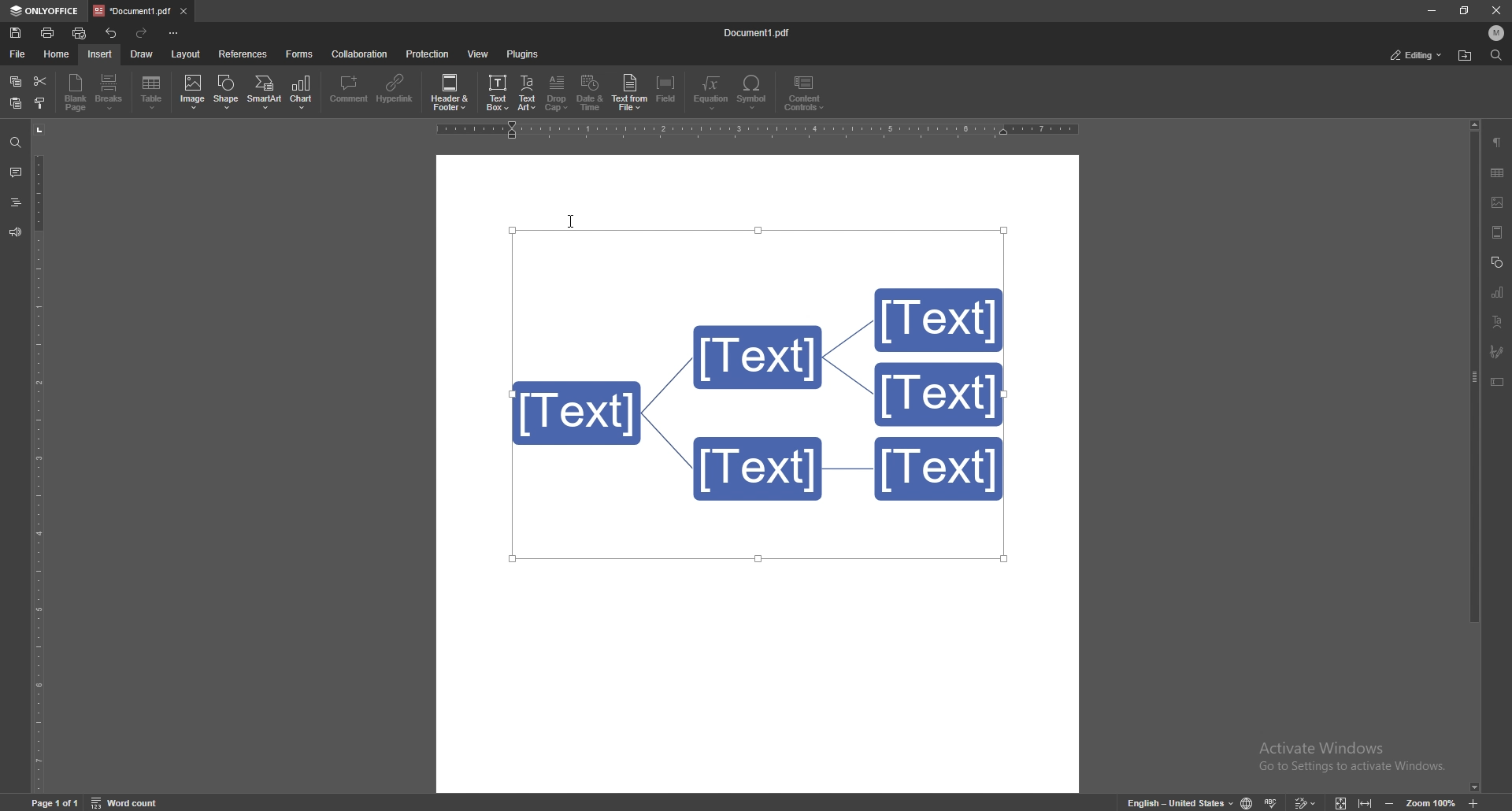 This screenshot has height=811, width=1512. I want to click on shape, so click(228, 91).